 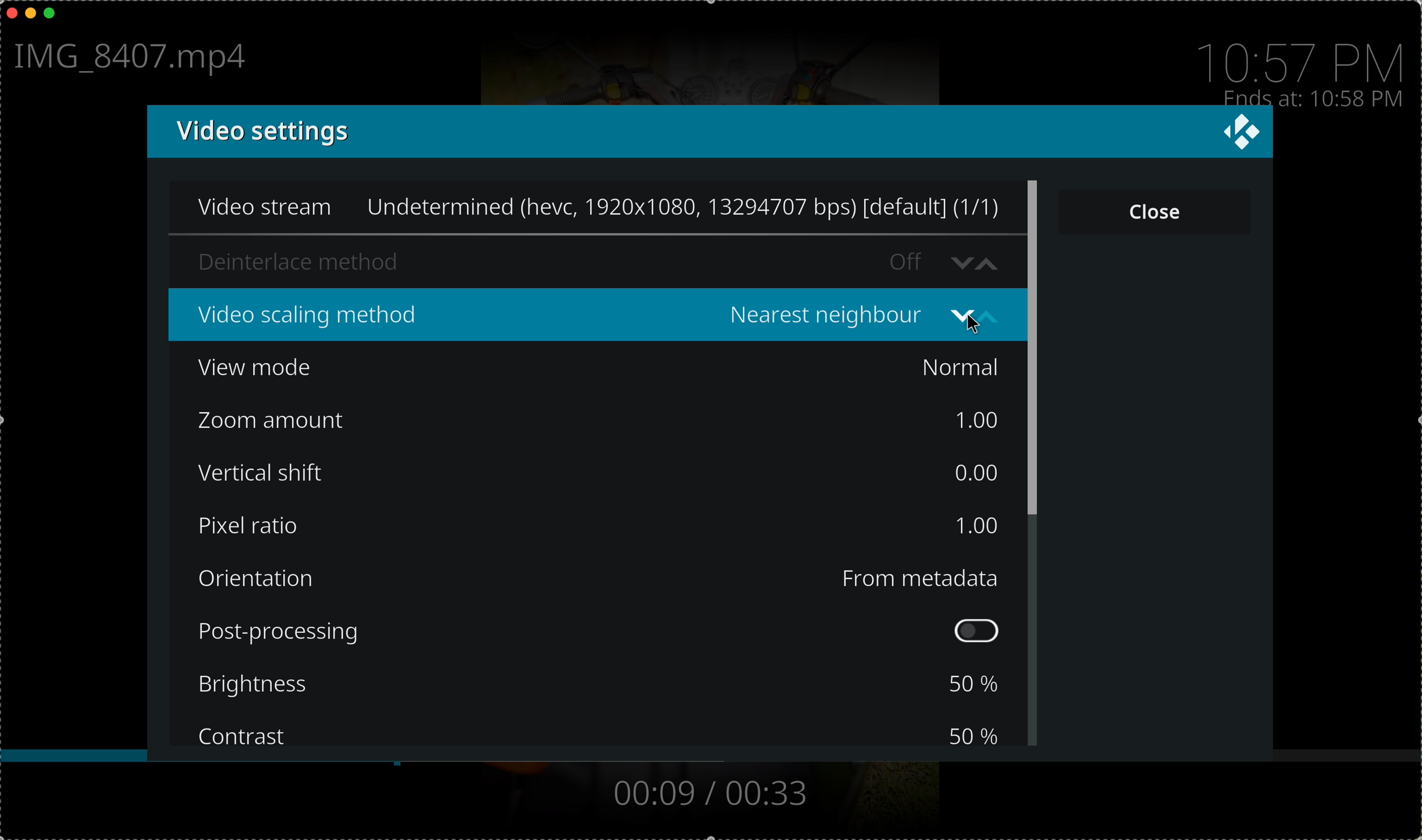 What do you see at coordinates (603, 577) in the screenshot?
I see `orientation from metadata` at bounding box center [603, 577].